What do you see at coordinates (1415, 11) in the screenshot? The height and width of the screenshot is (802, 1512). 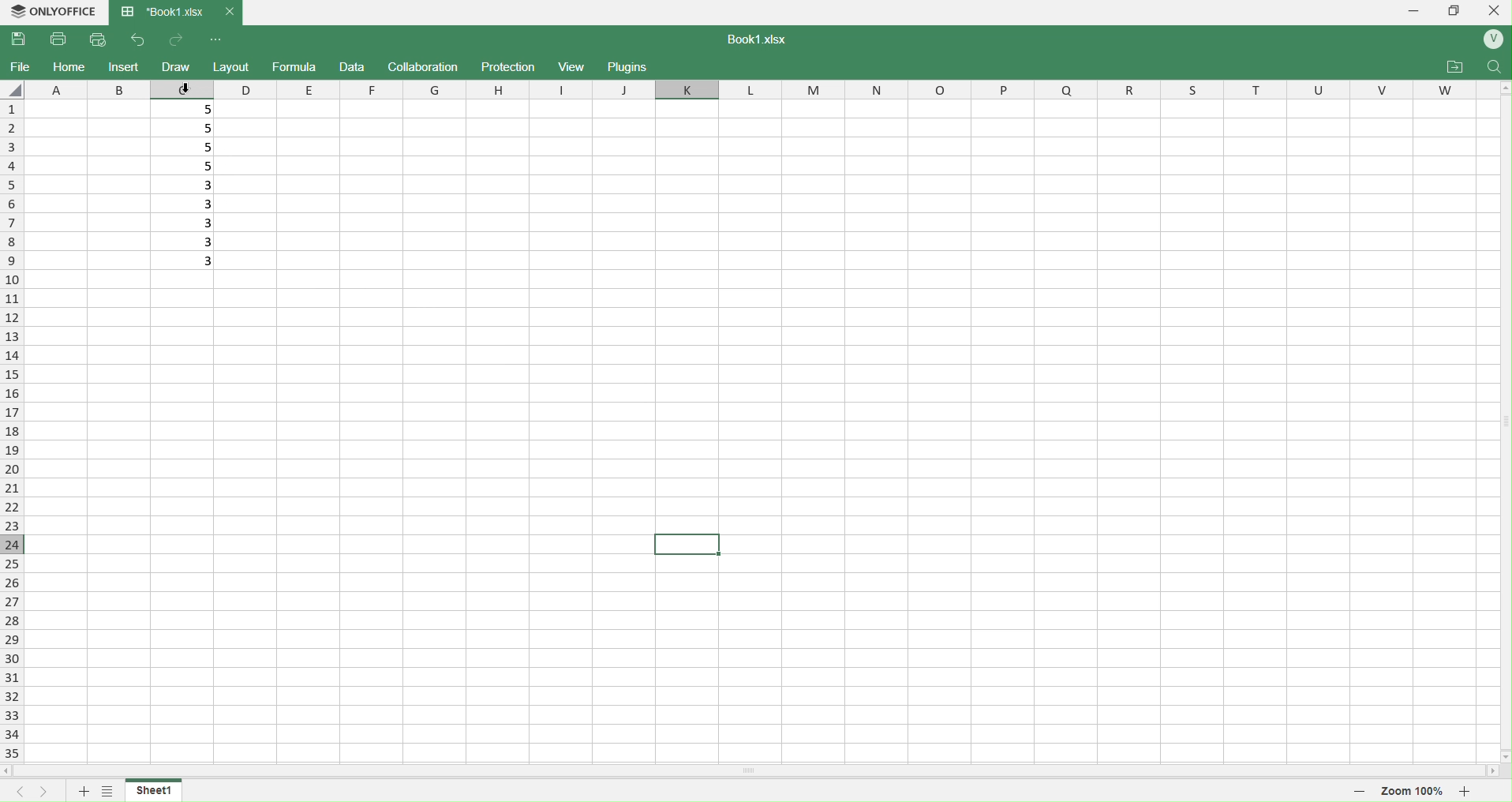 I see `Minimize` at bounding box center [1415, 11].